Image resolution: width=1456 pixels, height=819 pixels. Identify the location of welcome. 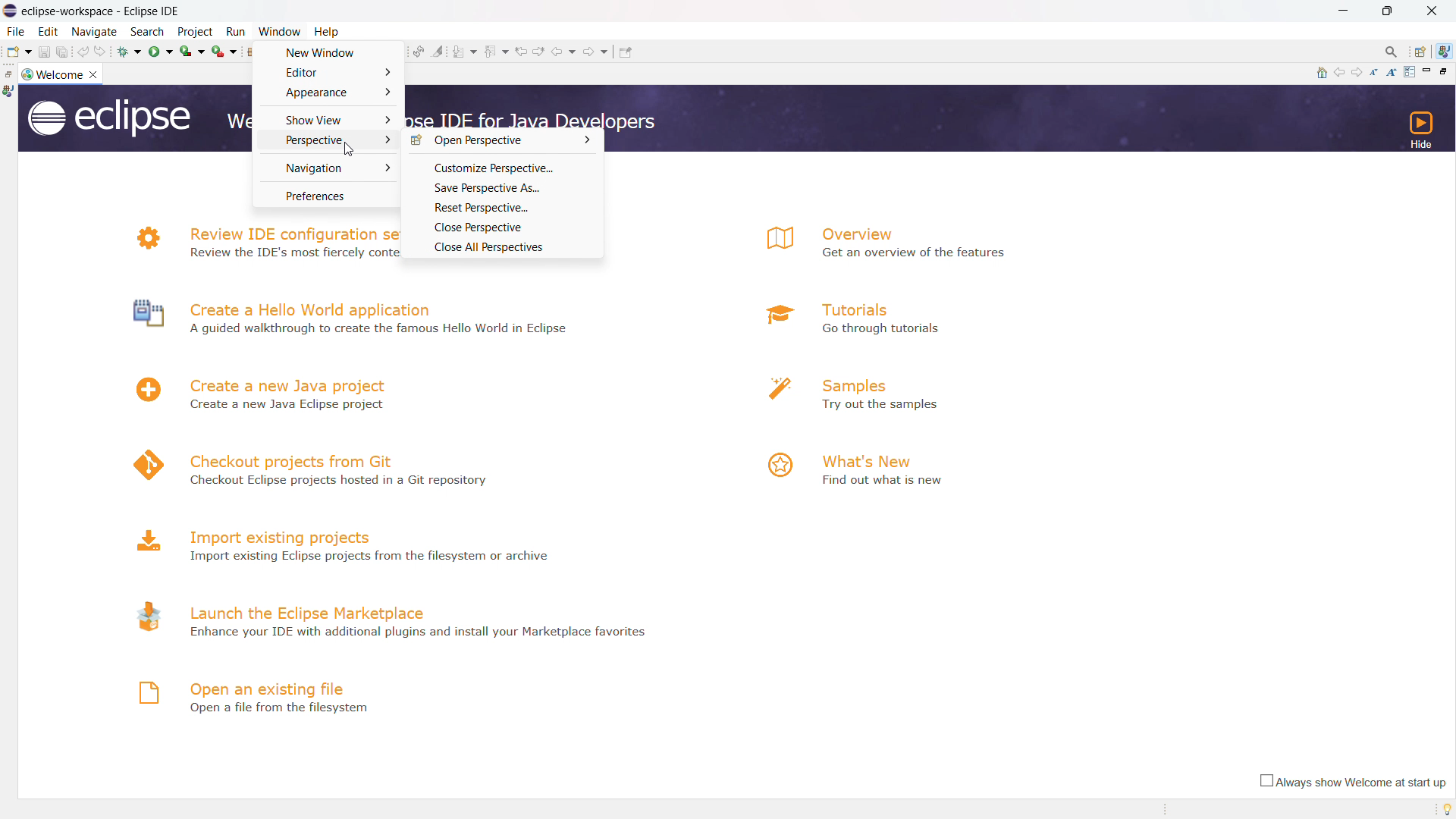
(60, 74).